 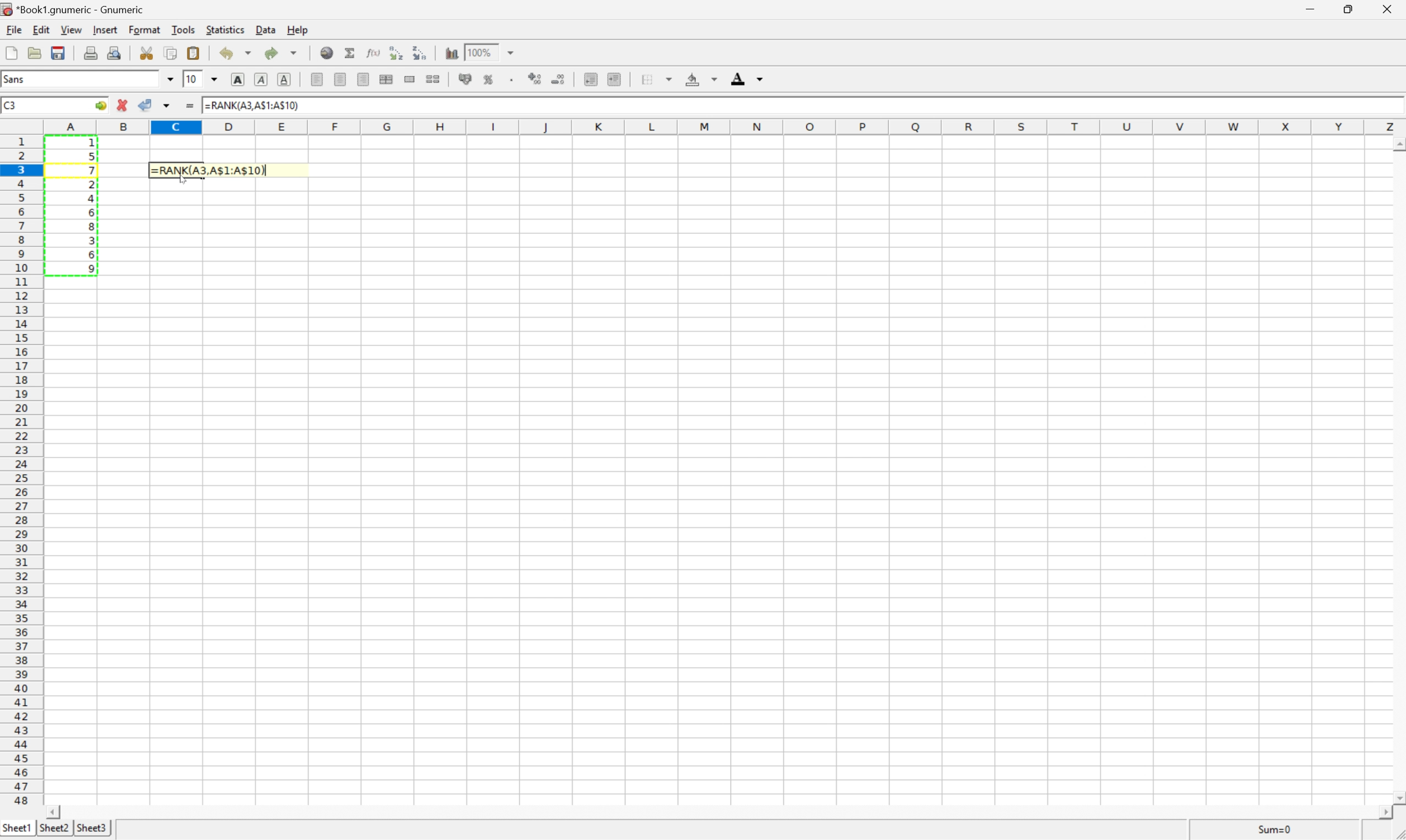 I want to click on paste, so click(x=194, y=52).